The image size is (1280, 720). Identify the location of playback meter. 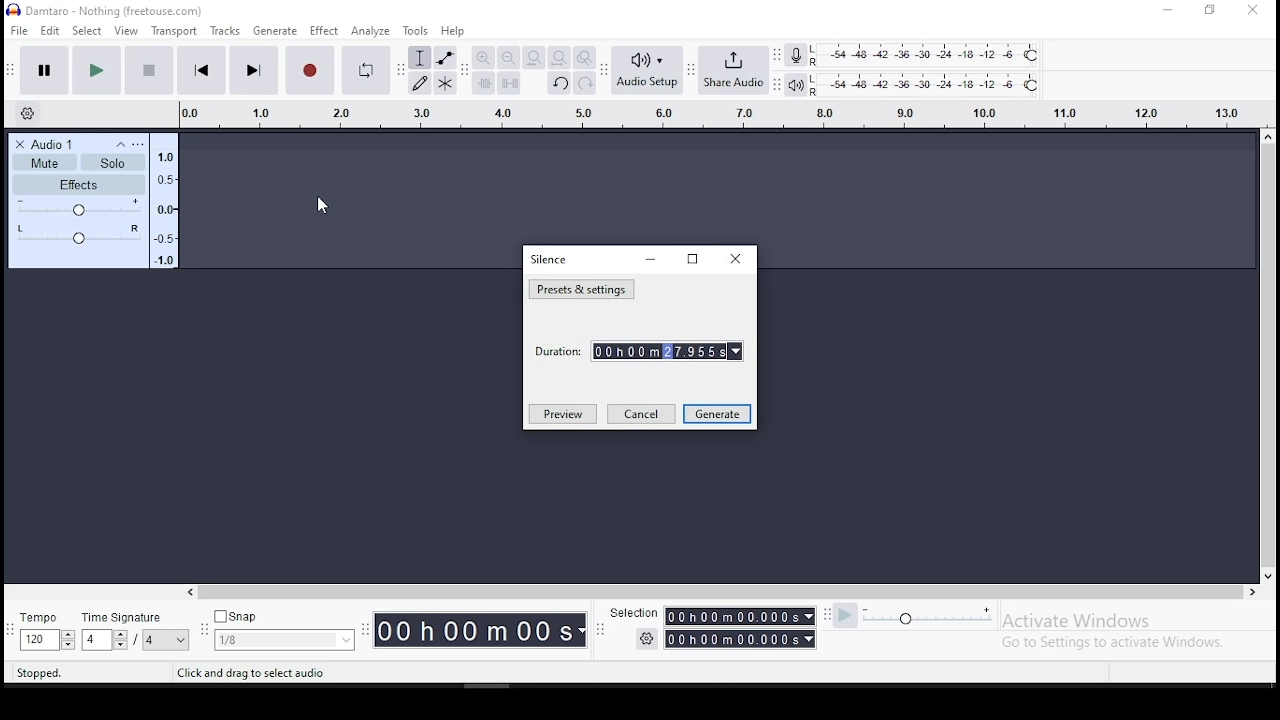
(794, 86).